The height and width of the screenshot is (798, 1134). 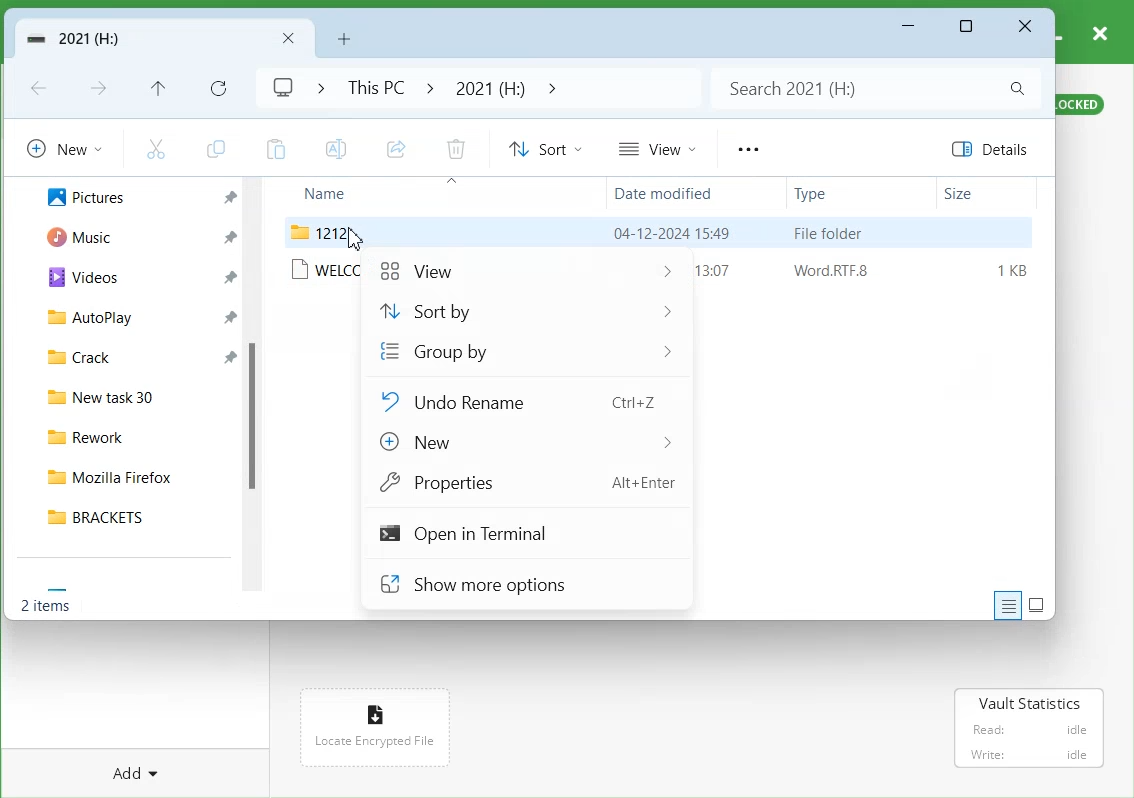 What do you see at coordinates (657, 232) in the screenshot?
I see `File folder` at bounding box center [657, 232].